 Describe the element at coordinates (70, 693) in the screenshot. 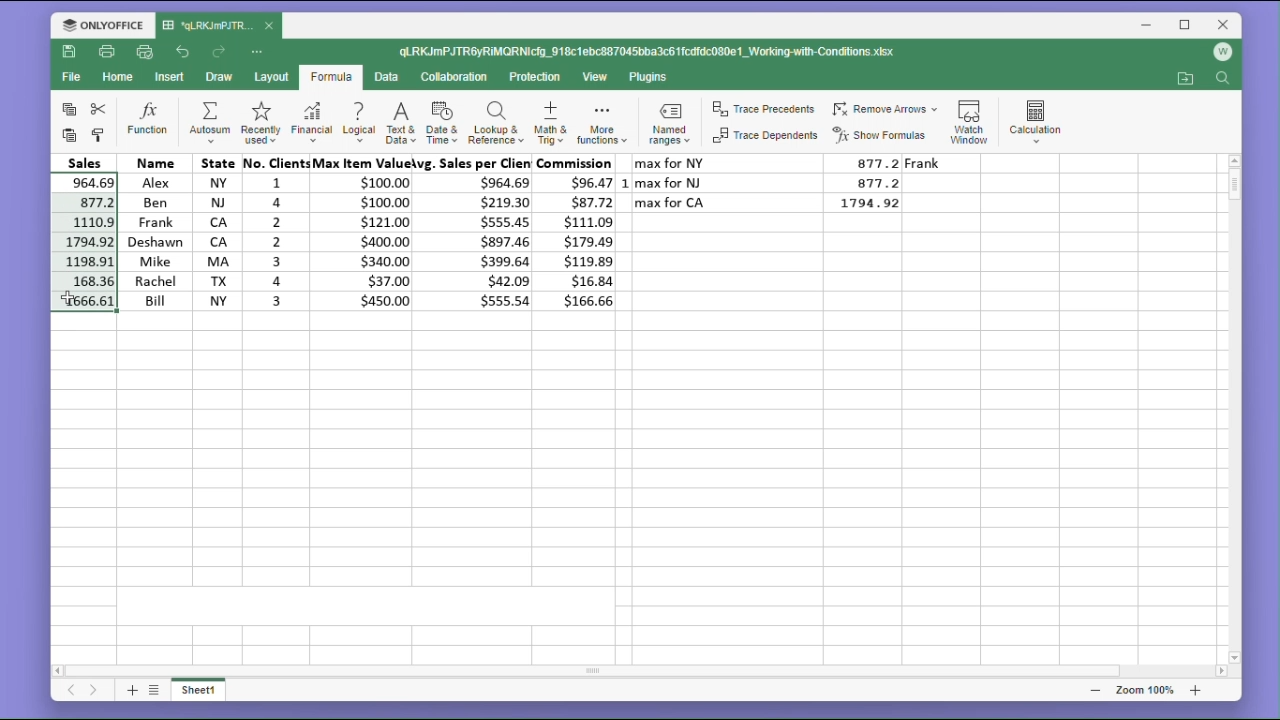

I see `previous sheet` at that location.